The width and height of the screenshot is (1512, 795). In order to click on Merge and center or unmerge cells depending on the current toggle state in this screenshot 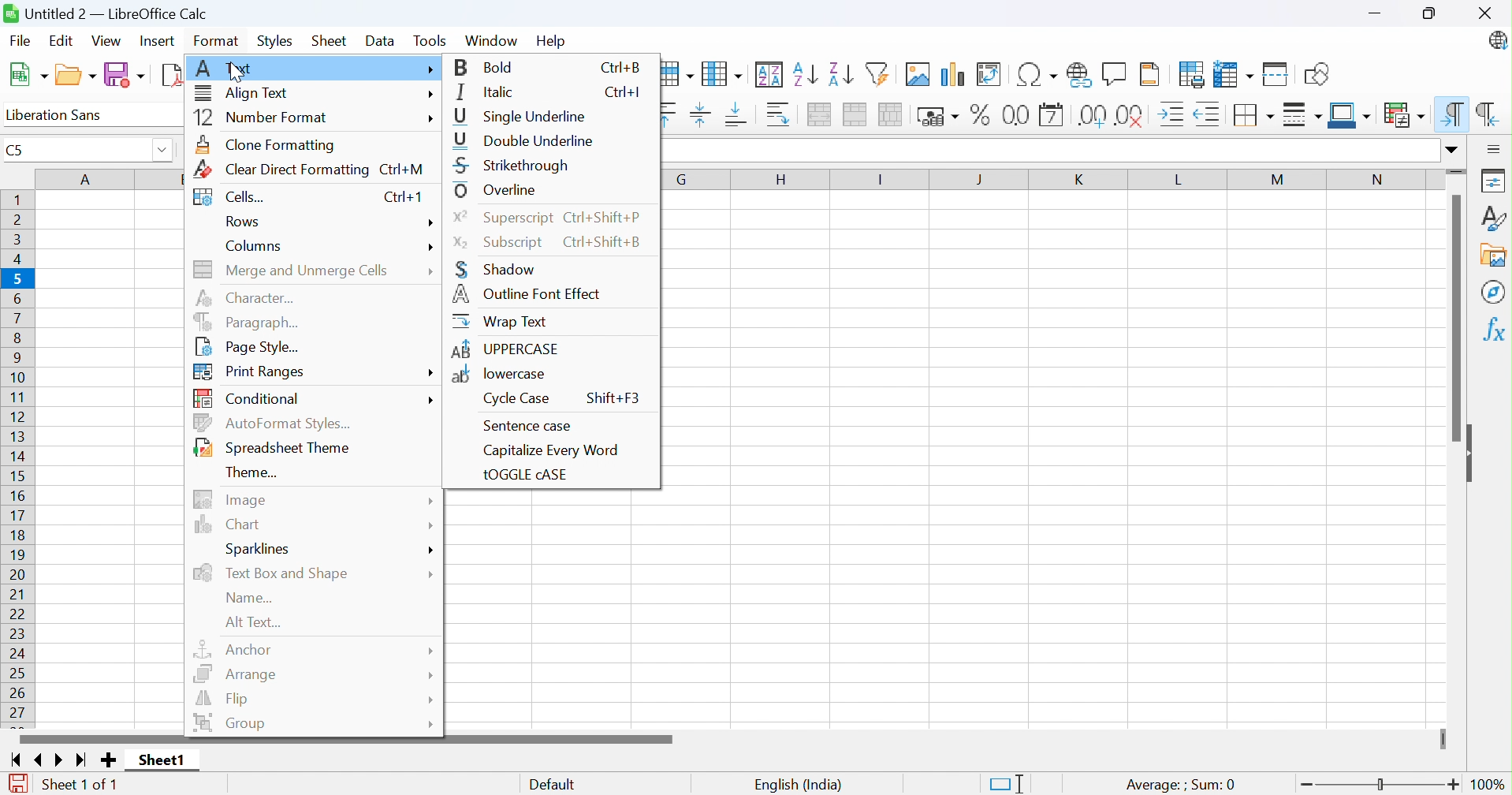, I will do `click(819, 114)`.